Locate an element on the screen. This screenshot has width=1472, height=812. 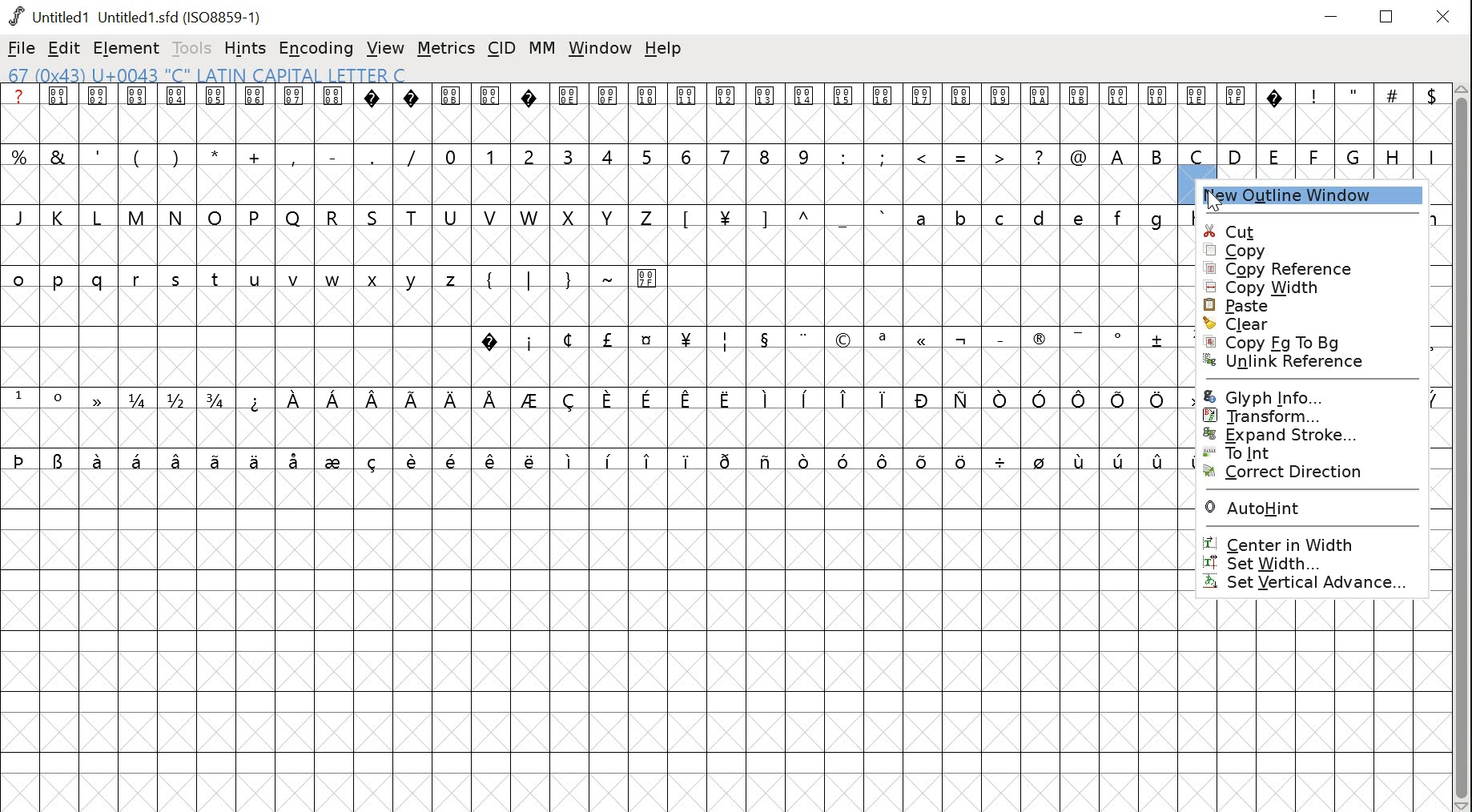
view is located at coordinates (384, 47).